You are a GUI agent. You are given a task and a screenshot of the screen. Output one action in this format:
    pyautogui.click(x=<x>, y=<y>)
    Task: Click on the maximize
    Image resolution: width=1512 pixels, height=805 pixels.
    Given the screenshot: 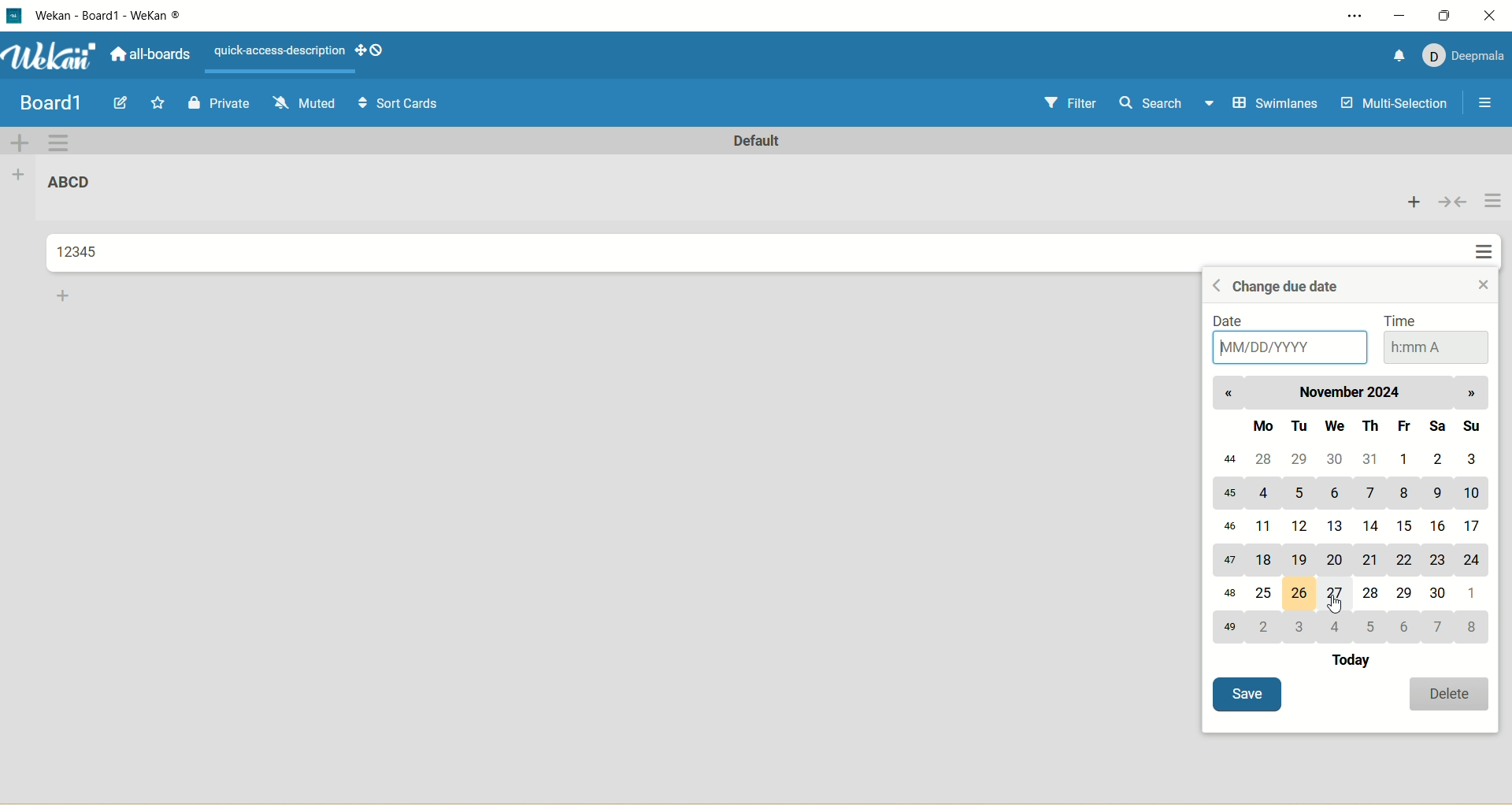 What is the action you would take?
    pyautogui.click(x=1447, y=15)
    